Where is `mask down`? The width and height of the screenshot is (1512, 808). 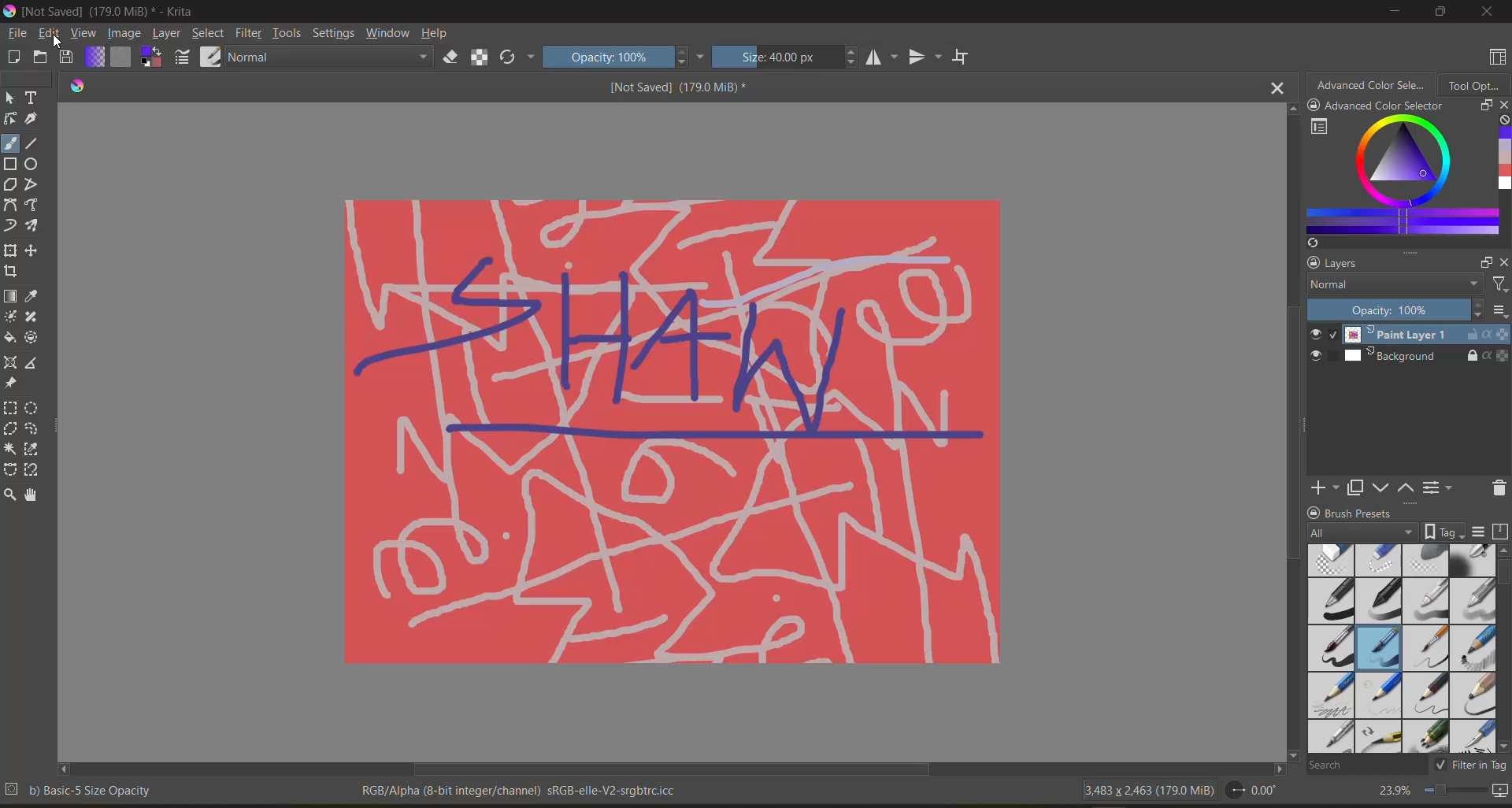 mask down is located at coordinates (1384, 488).